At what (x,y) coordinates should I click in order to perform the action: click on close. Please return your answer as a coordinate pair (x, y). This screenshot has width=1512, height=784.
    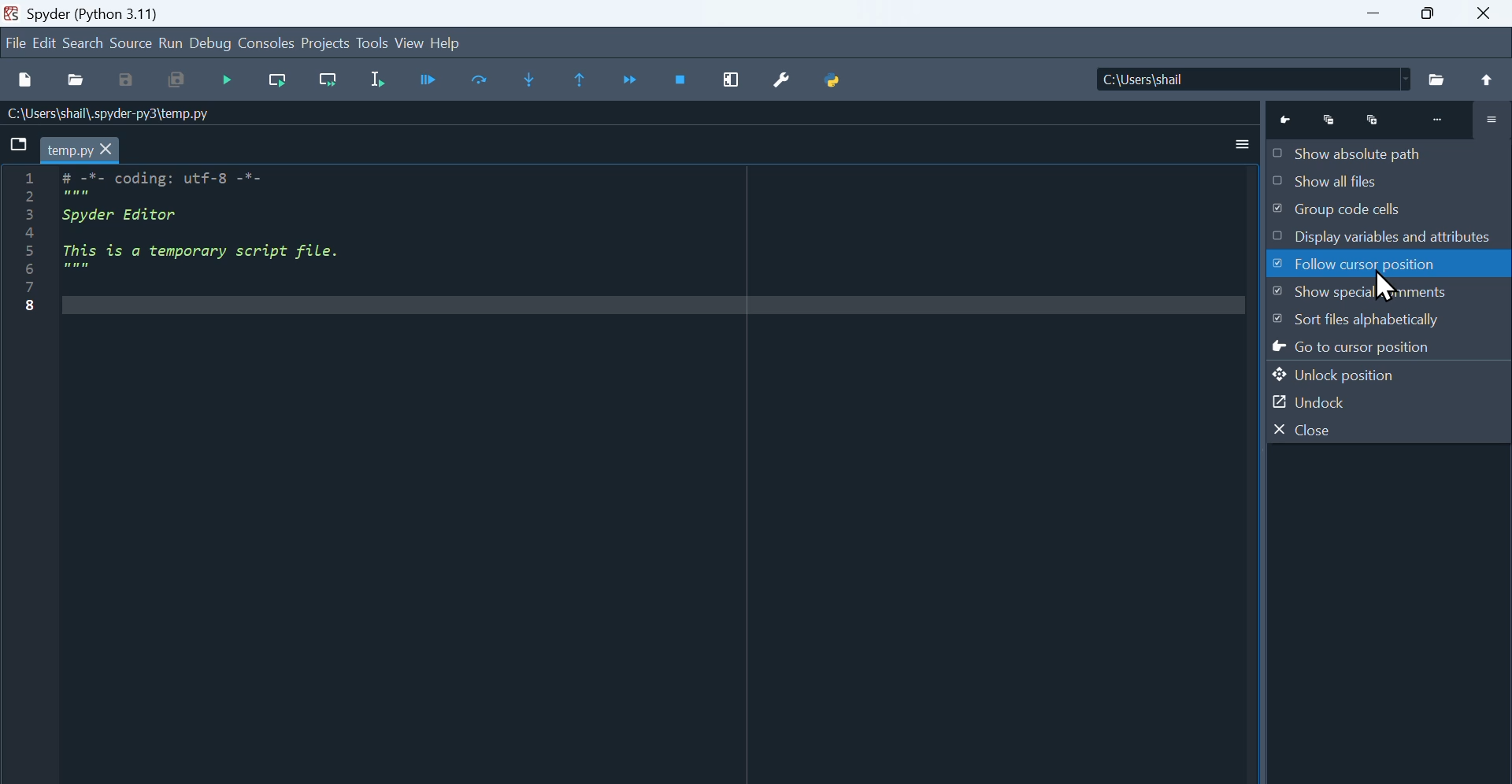
    Looking at the image, I should click on (1347, 428).